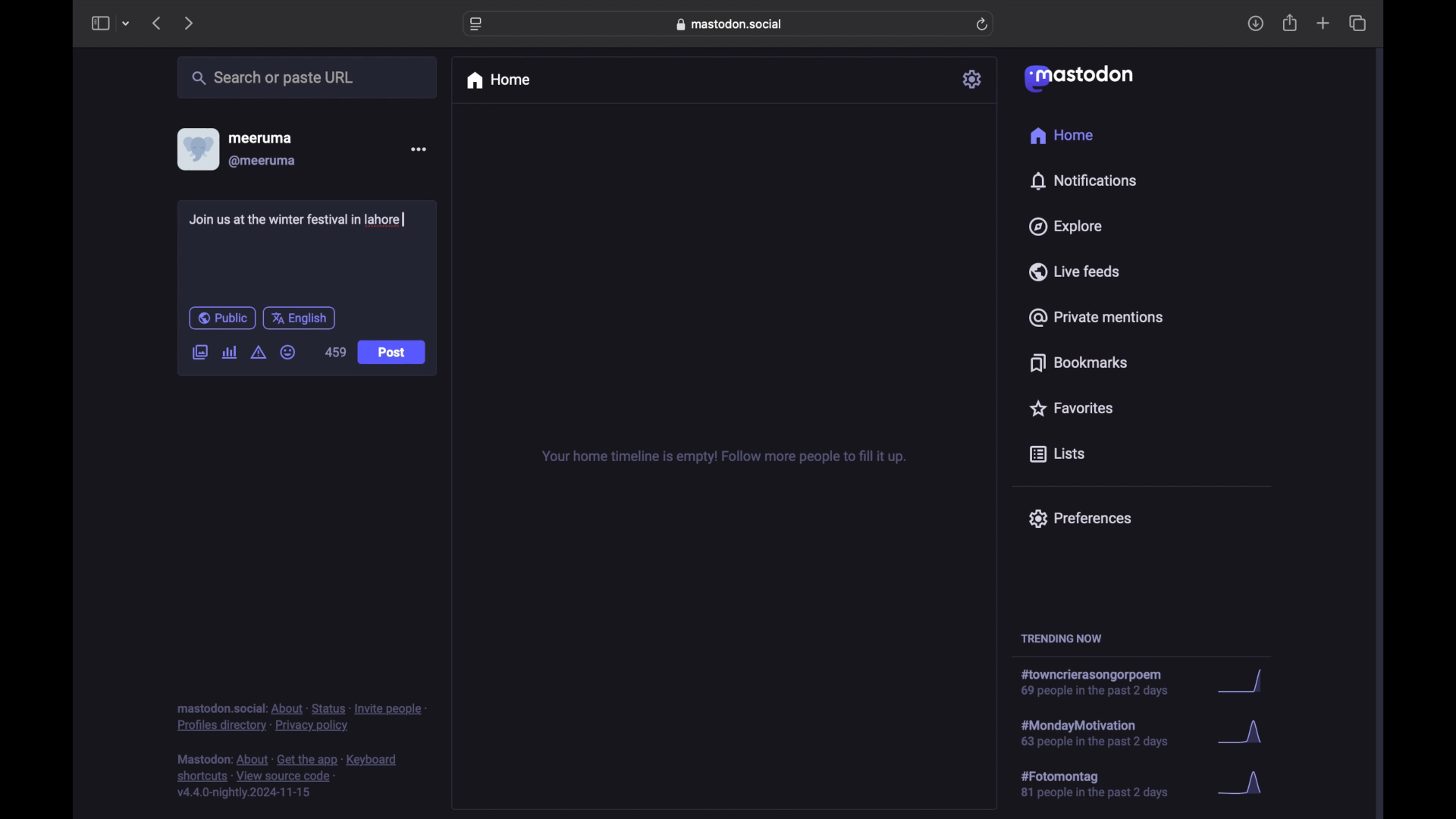 Image resolution: width=1456 pixels, height=819 pixels. I want to click on bookmarks, so click(1078, 362).